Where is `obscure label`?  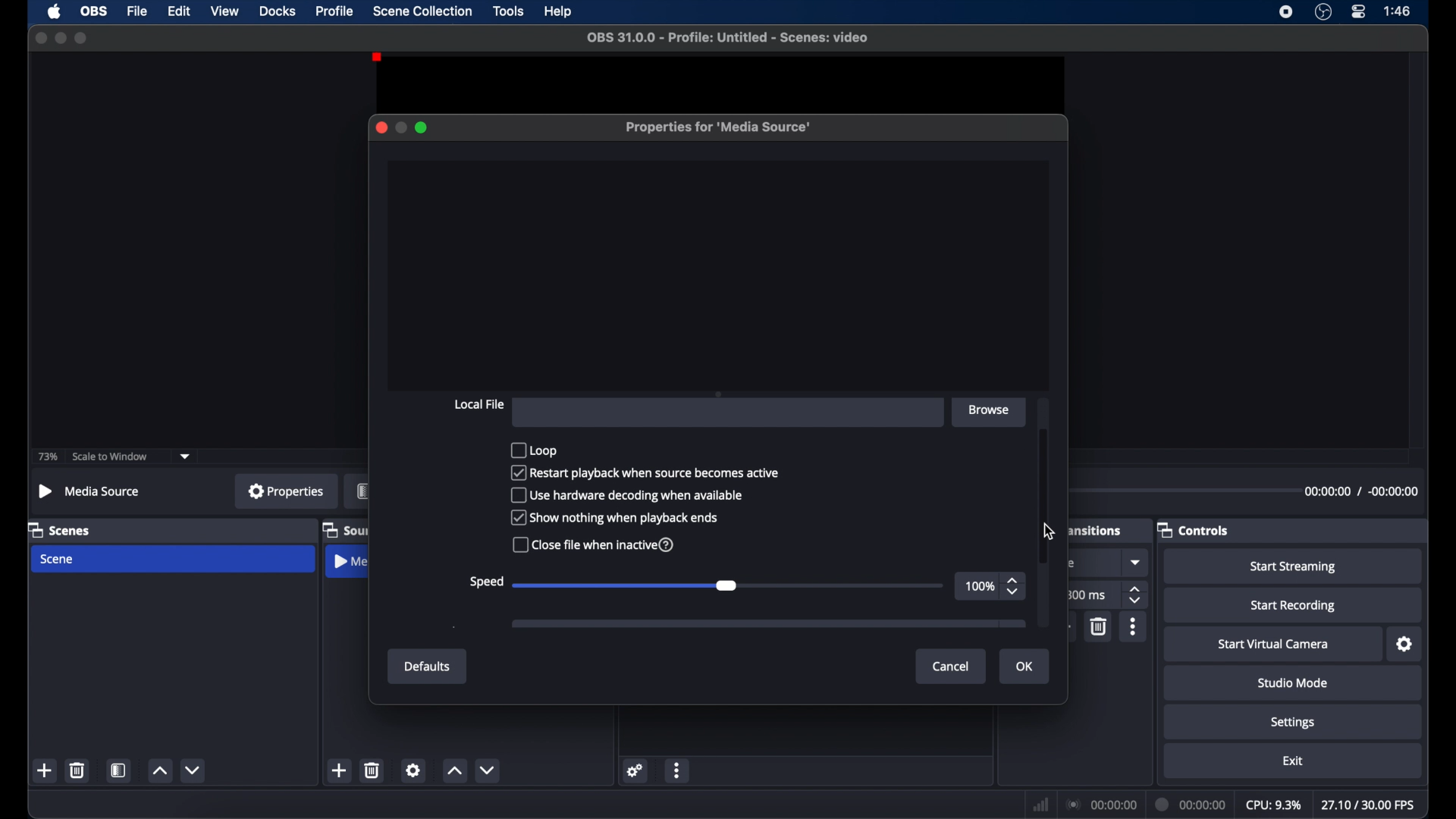 obscure label is located at coordinates (345, 531).